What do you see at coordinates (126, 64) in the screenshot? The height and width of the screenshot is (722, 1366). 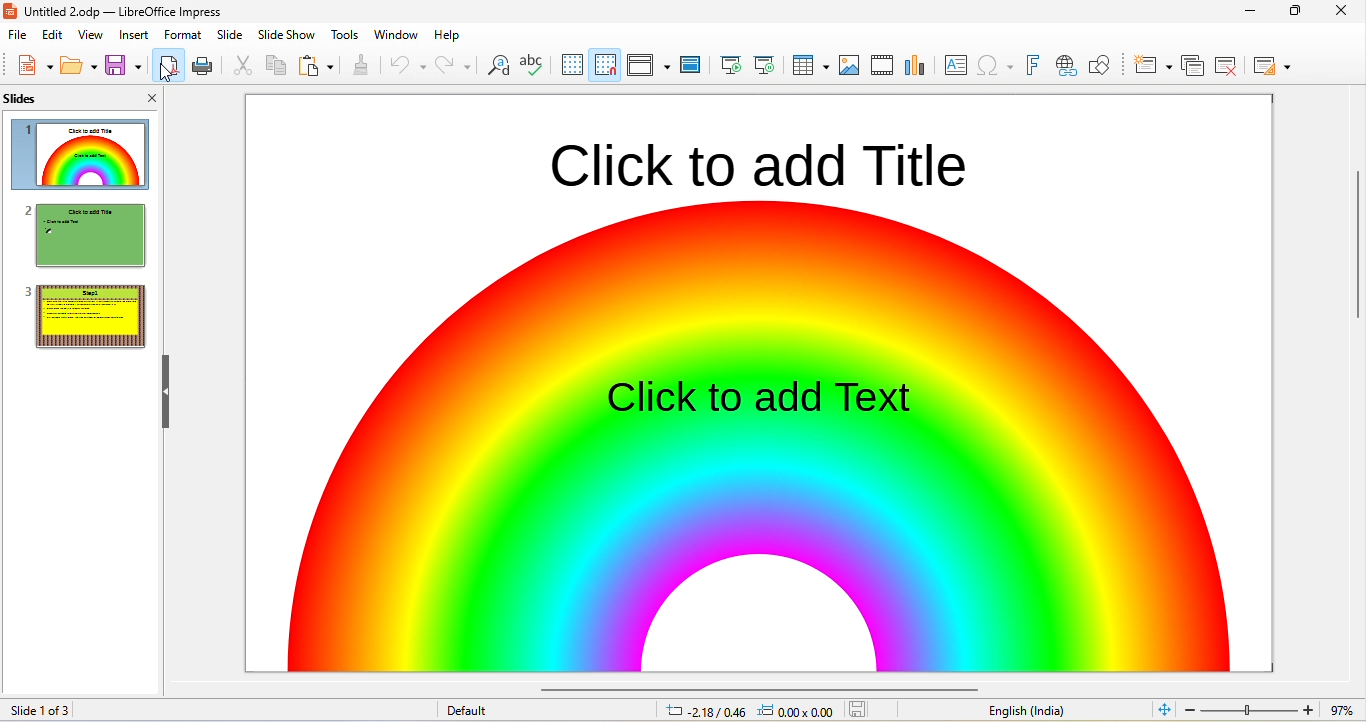 I see `save` at bounding box center [126, 64].